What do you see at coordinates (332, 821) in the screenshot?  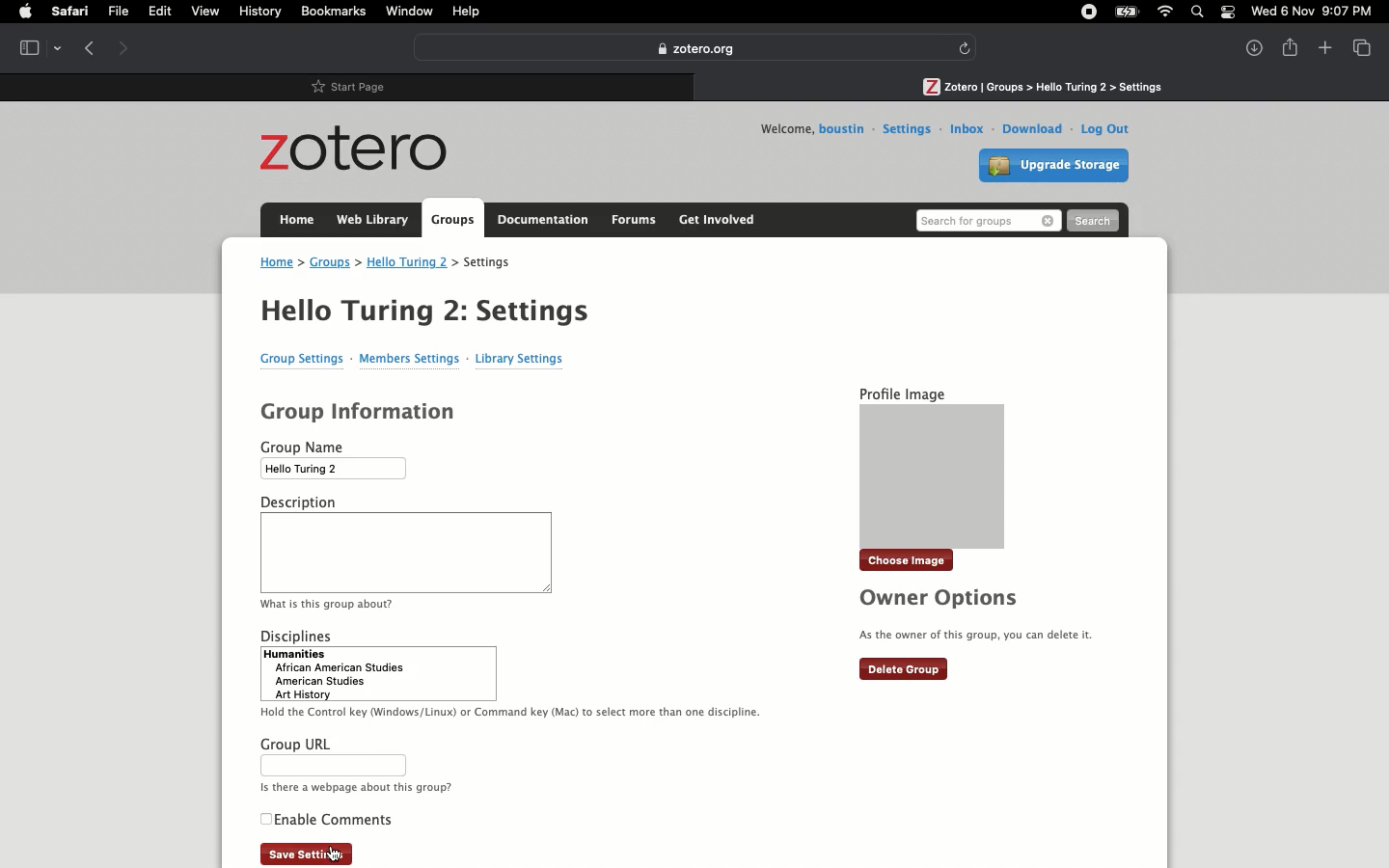 I see `Enable comments` at bounding box center [332, 821].